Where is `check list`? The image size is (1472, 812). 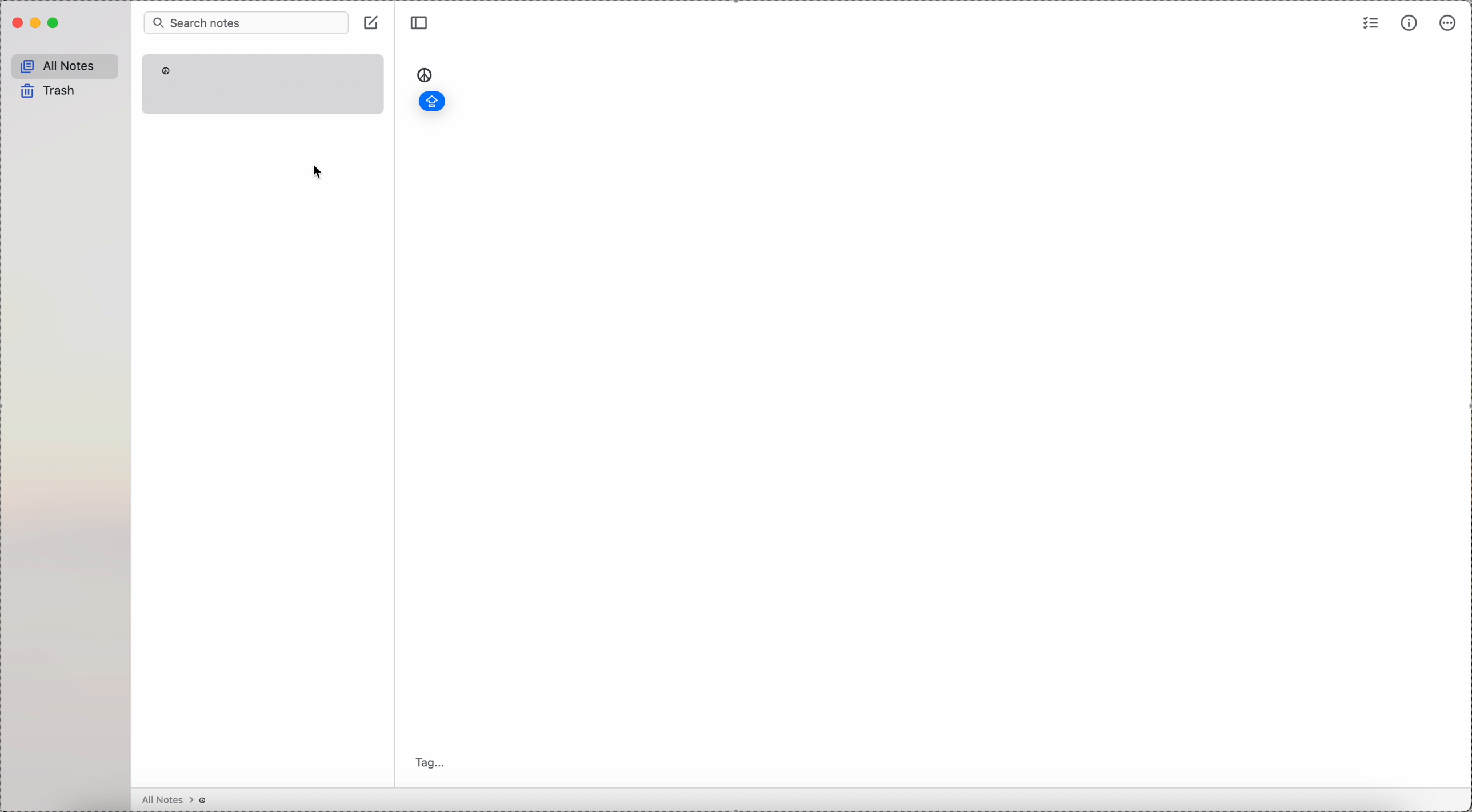
check list is located at coordinates (1370, 24).